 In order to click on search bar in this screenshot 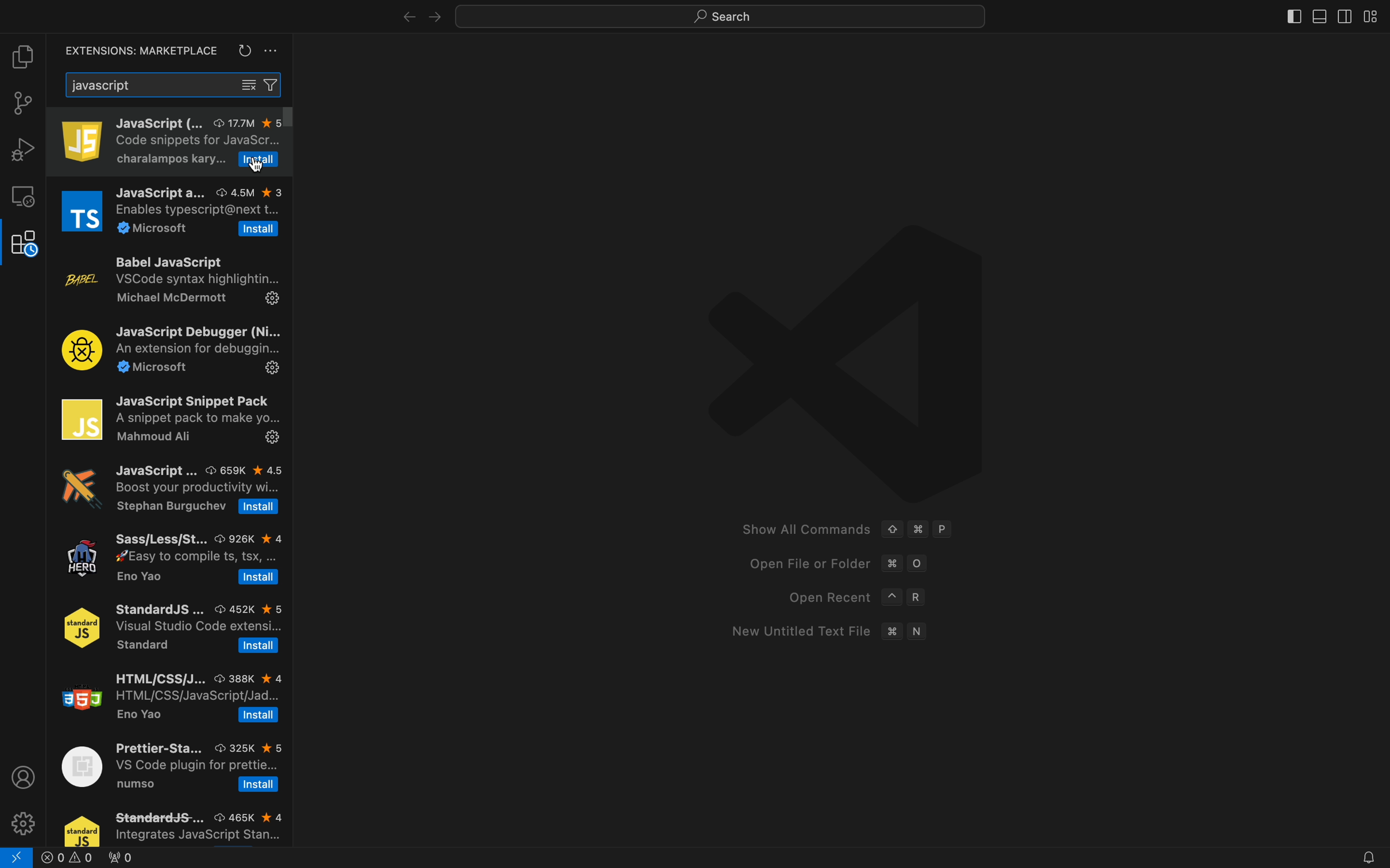, I will do `click(176, 84)`.